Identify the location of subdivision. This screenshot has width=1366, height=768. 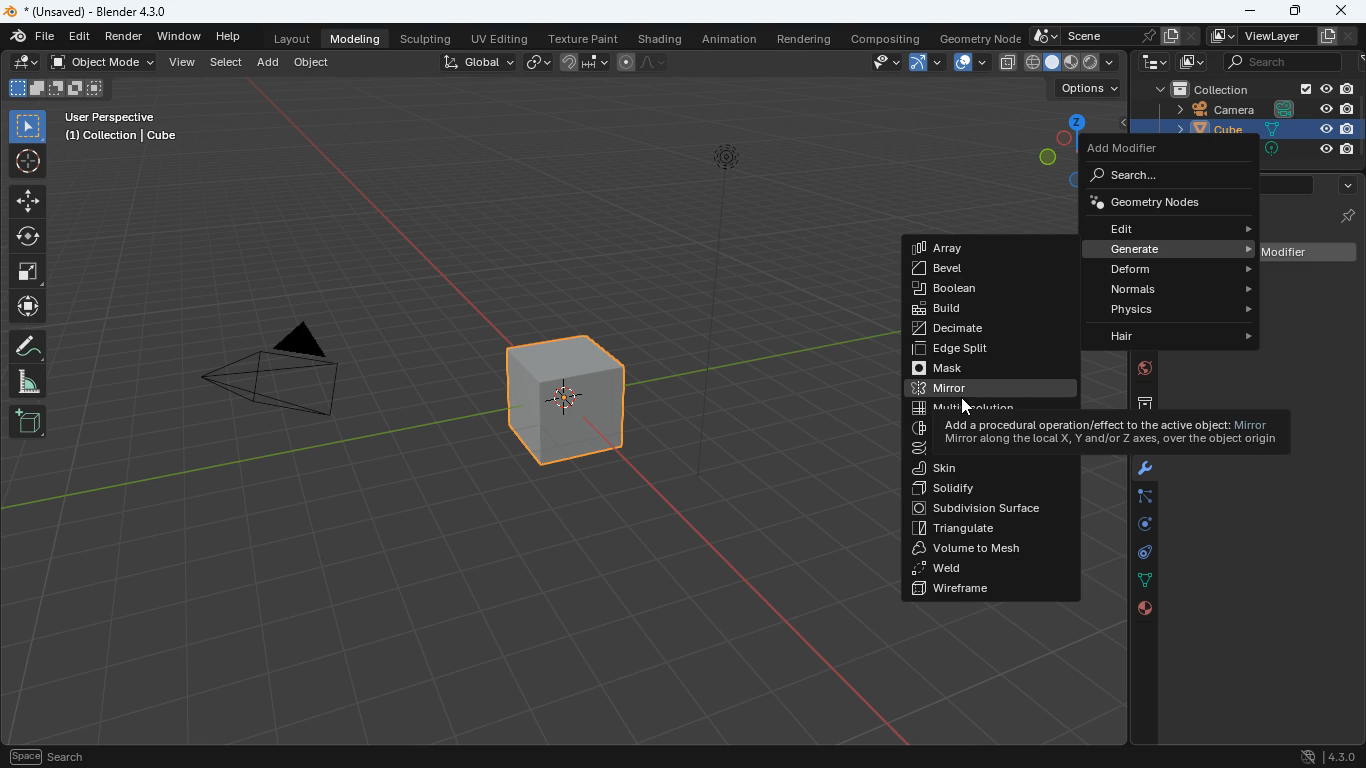
(984, 509).